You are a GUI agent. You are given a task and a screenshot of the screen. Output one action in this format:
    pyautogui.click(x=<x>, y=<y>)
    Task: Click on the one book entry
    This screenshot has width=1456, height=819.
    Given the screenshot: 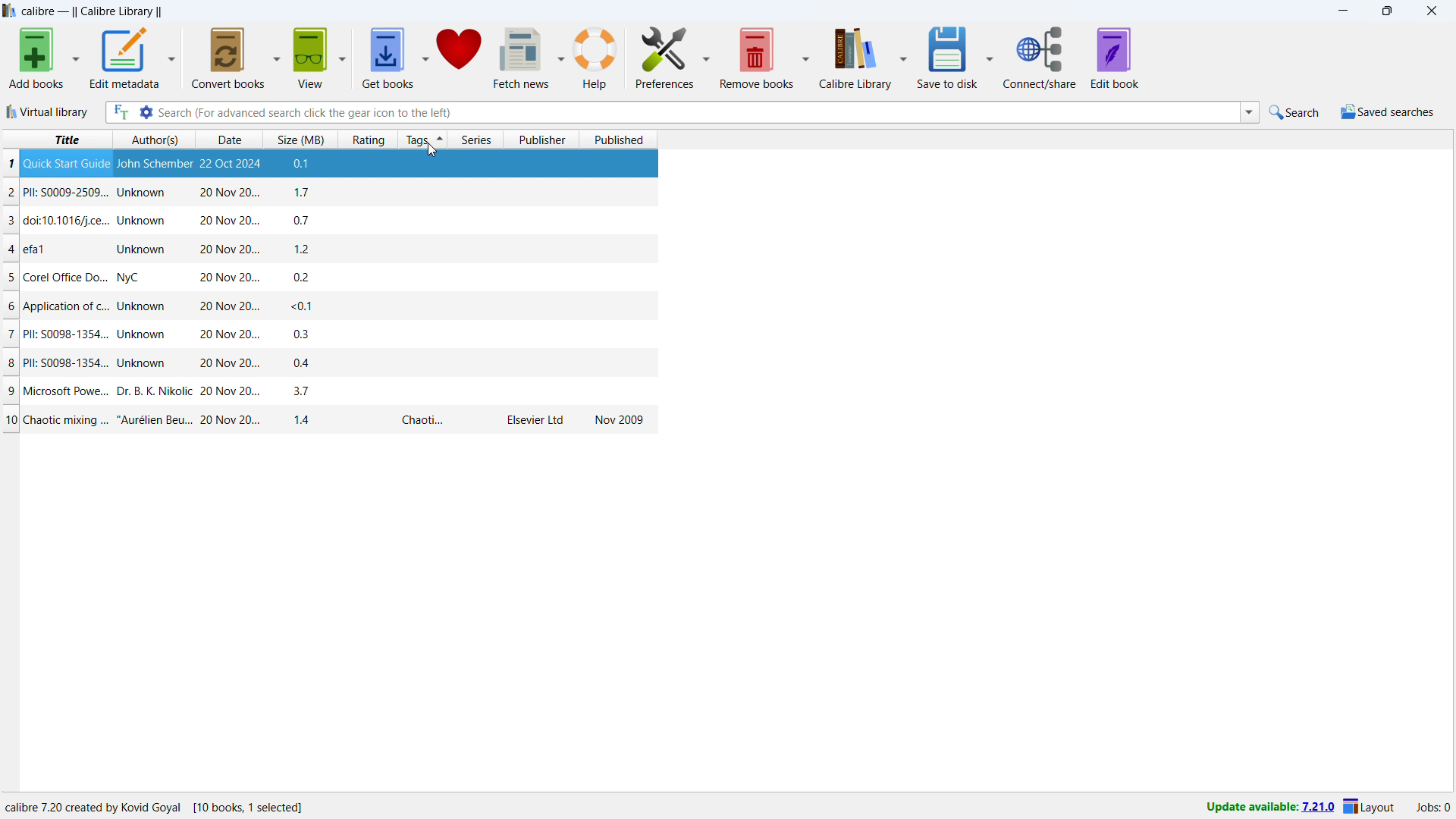 What is the action you would take?
    pyautogui.click(x=328, y=277)
    